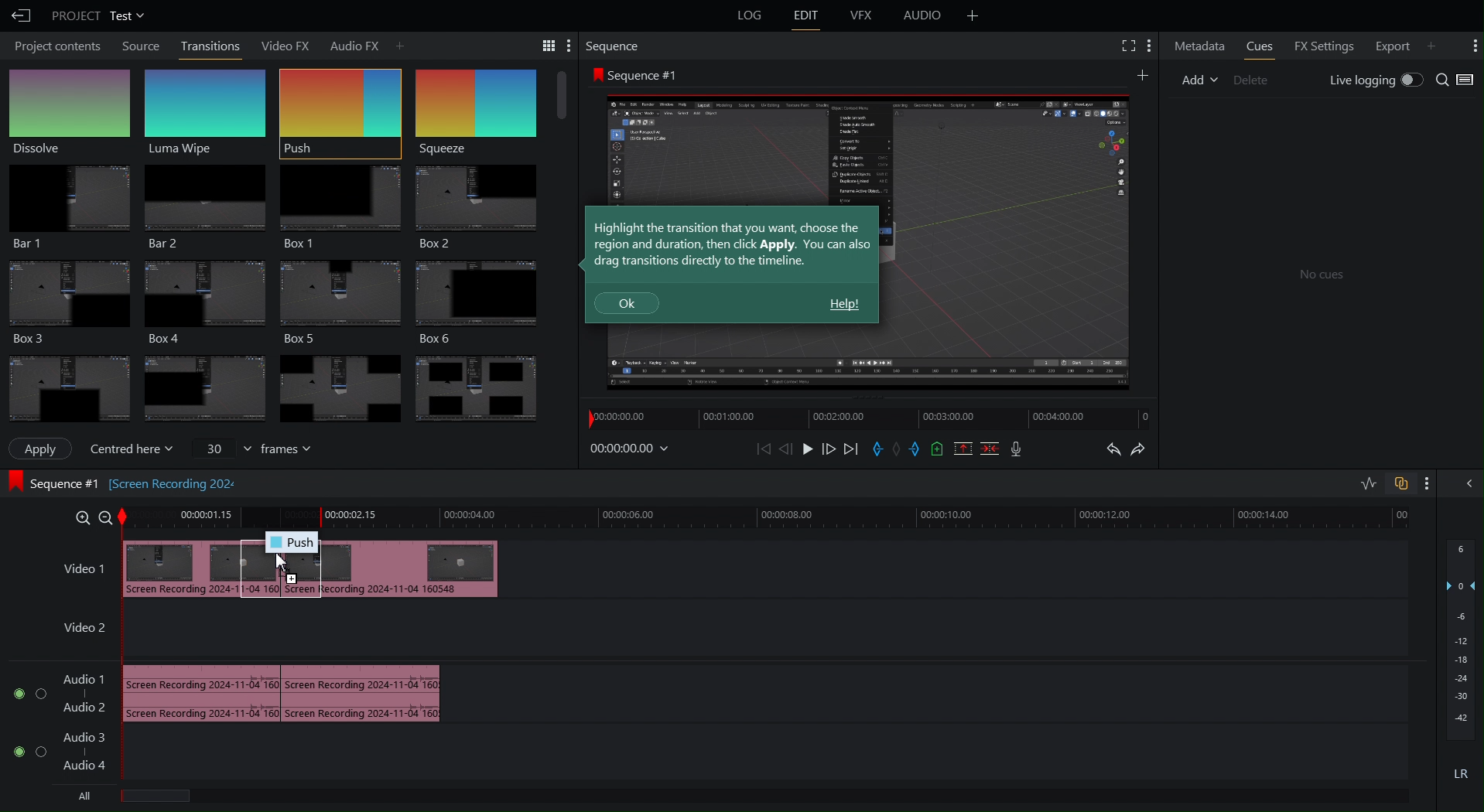  I want to click on Sequence #1 [Screen recording 202], so click(51, 480).